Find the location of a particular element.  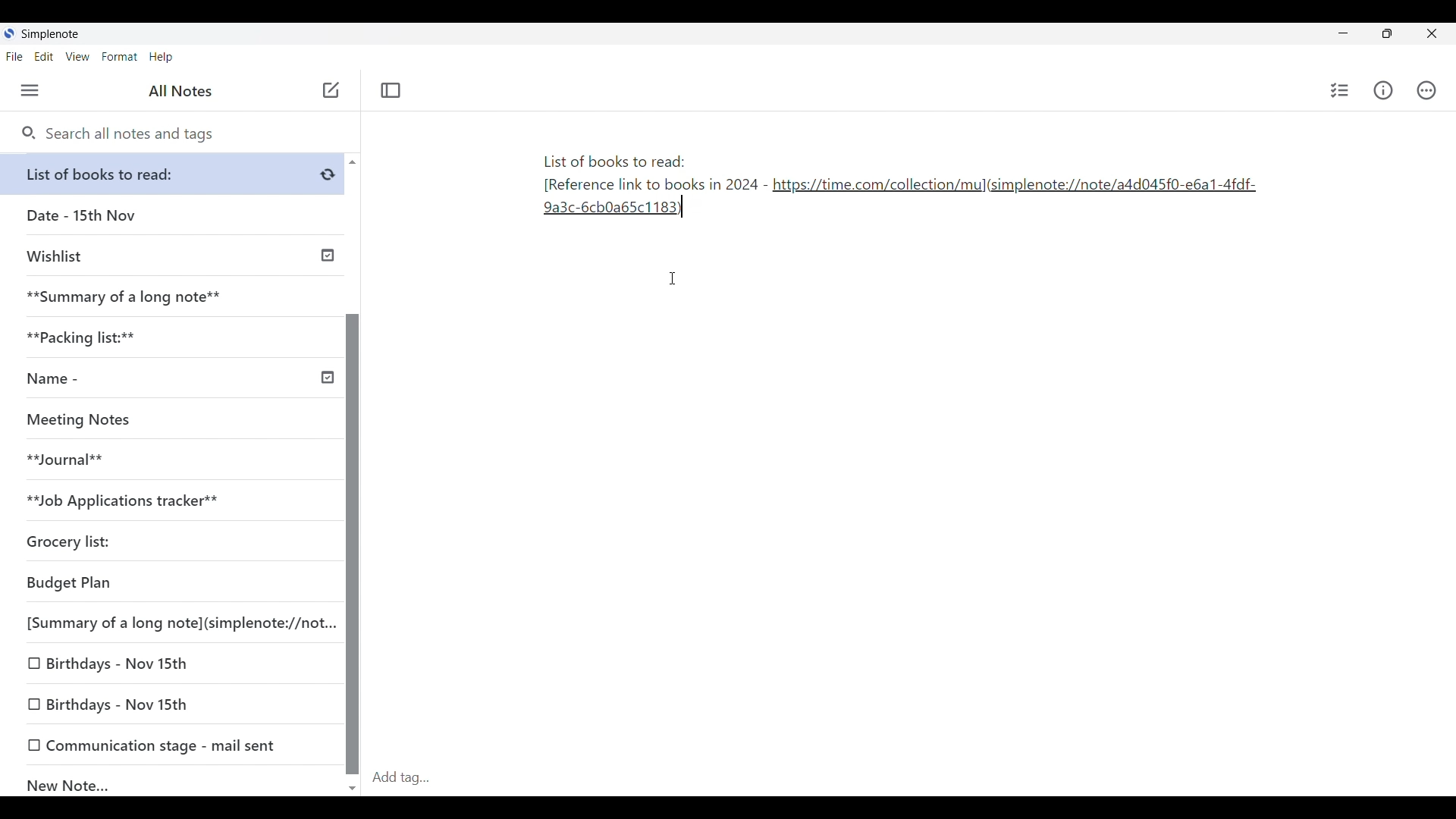

Info is located at coordinates (1383, 90).